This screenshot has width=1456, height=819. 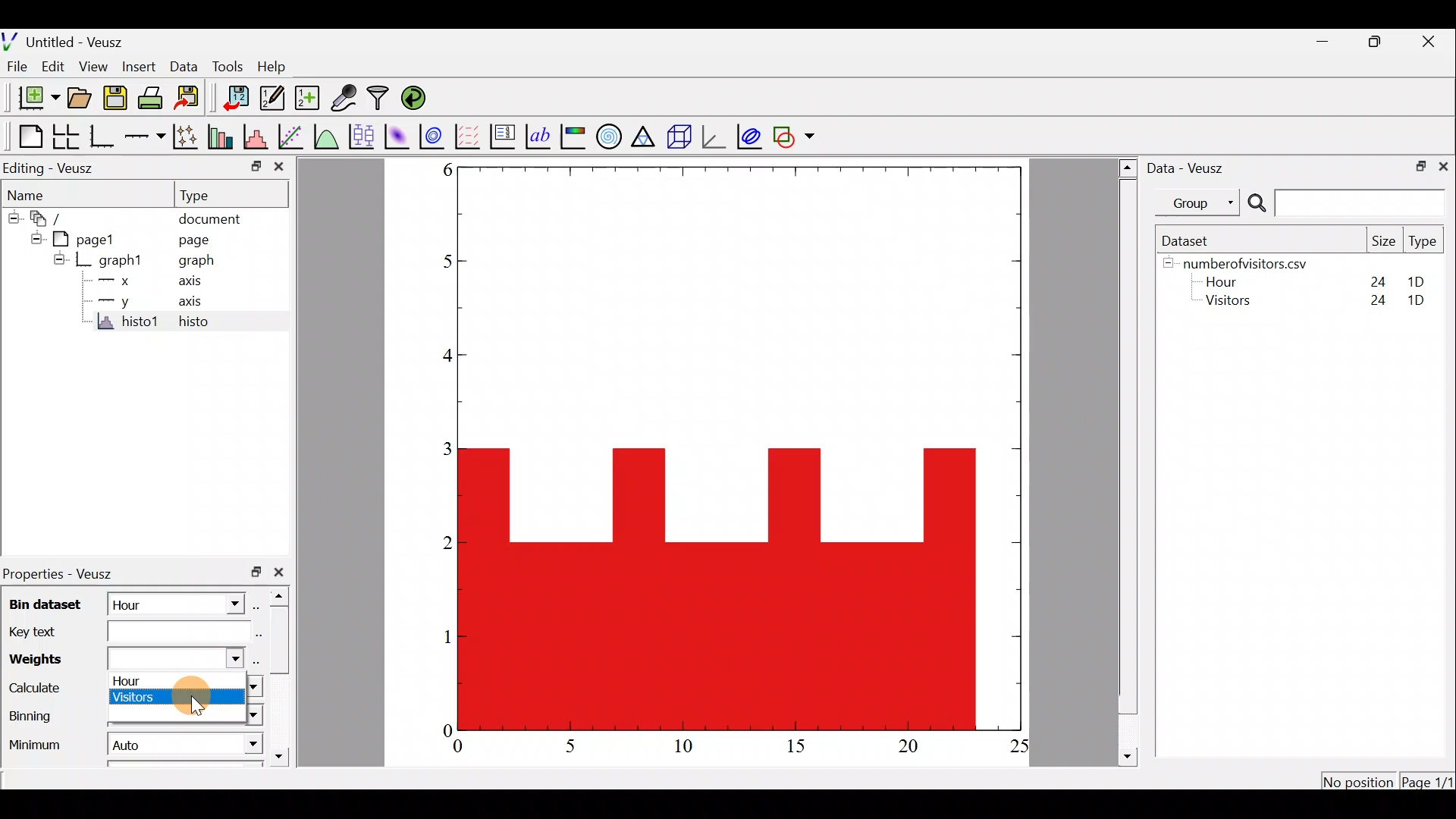 What do you see at coordinates (538, 136) in the screenshot?
I see `text label` at bounding box center [538, 136].